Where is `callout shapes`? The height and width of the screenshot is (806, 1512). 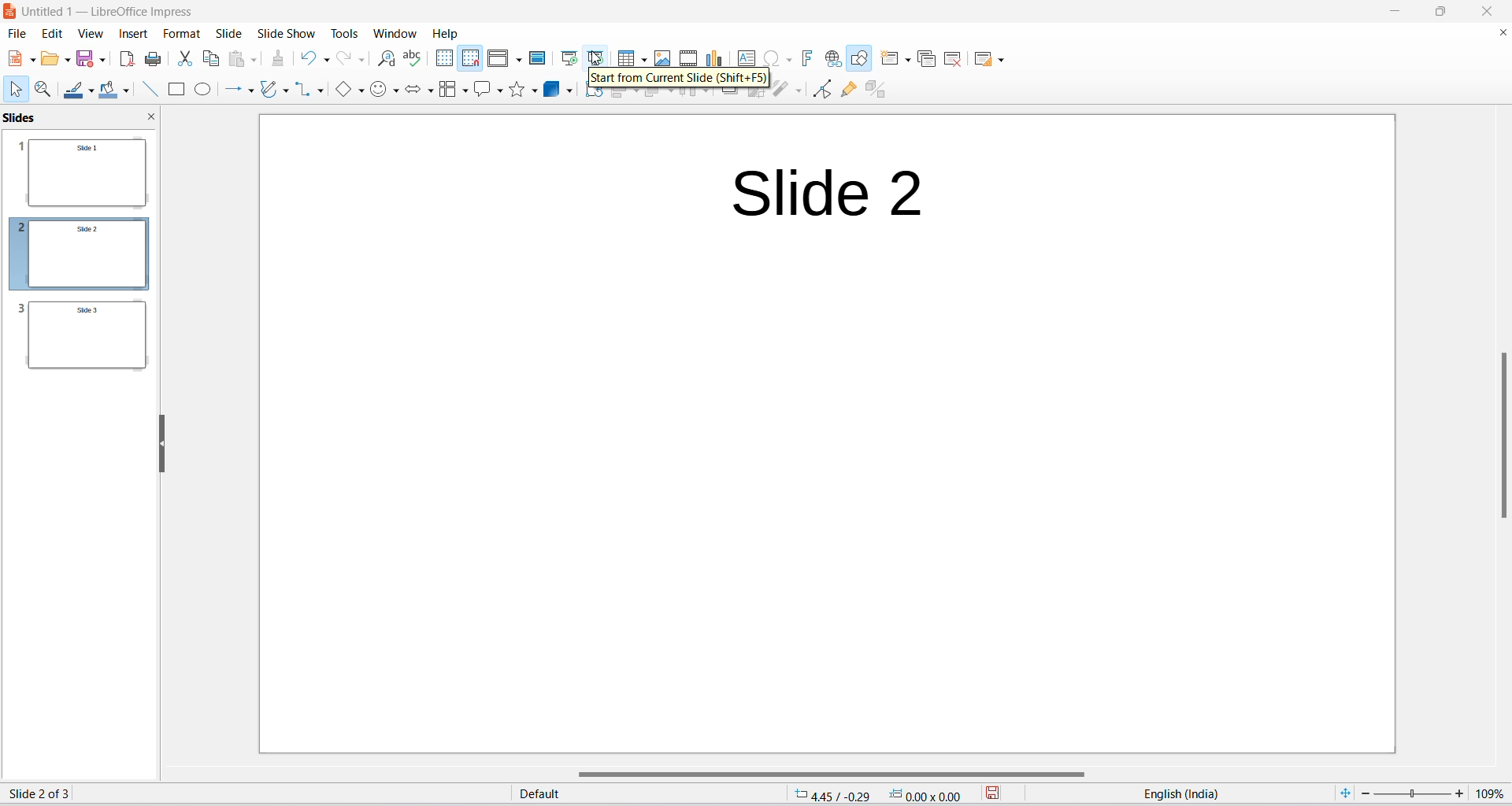
callout shapes is located at coordinates (481, 93).